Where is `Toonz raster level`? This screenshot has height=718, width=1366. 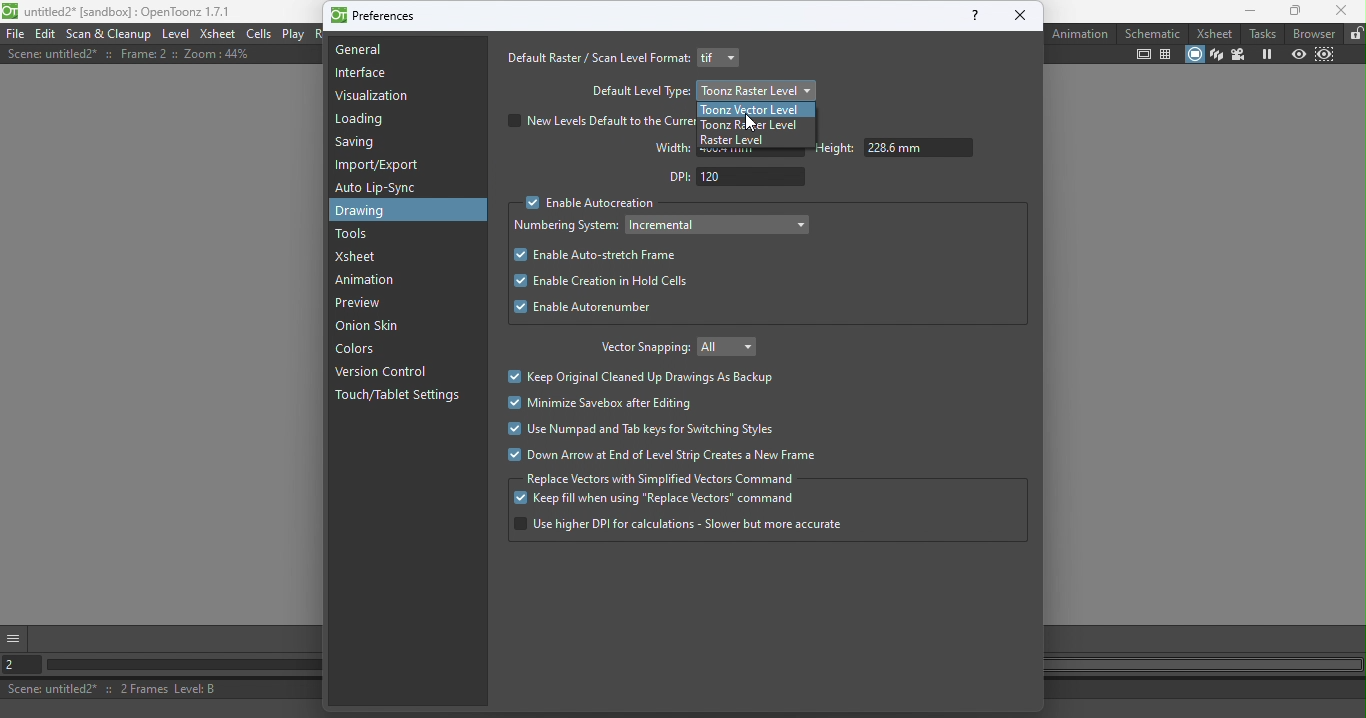
Toonz raster level is located at coordinates (759, 124).